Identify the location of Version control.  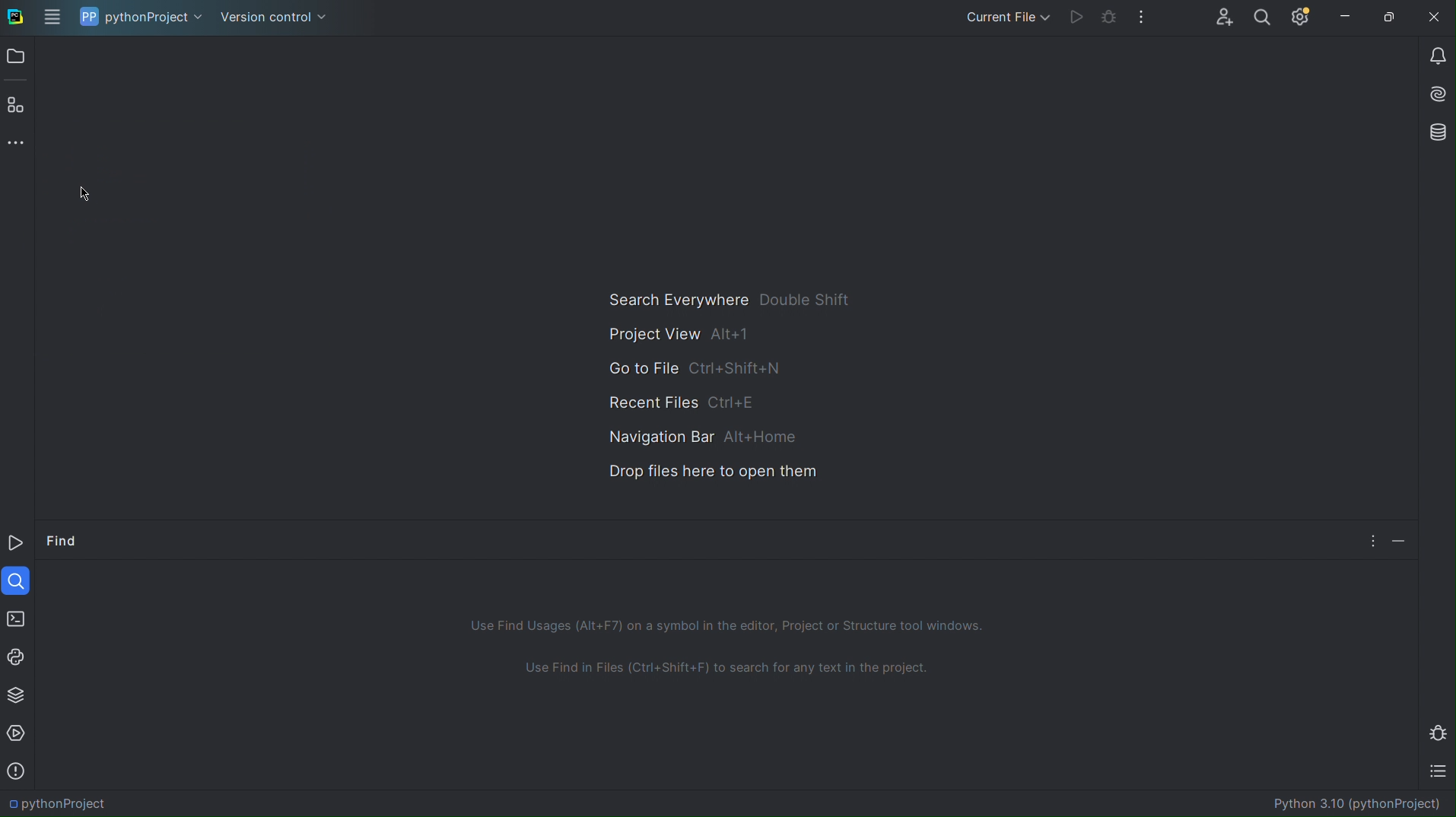
(276, 16).